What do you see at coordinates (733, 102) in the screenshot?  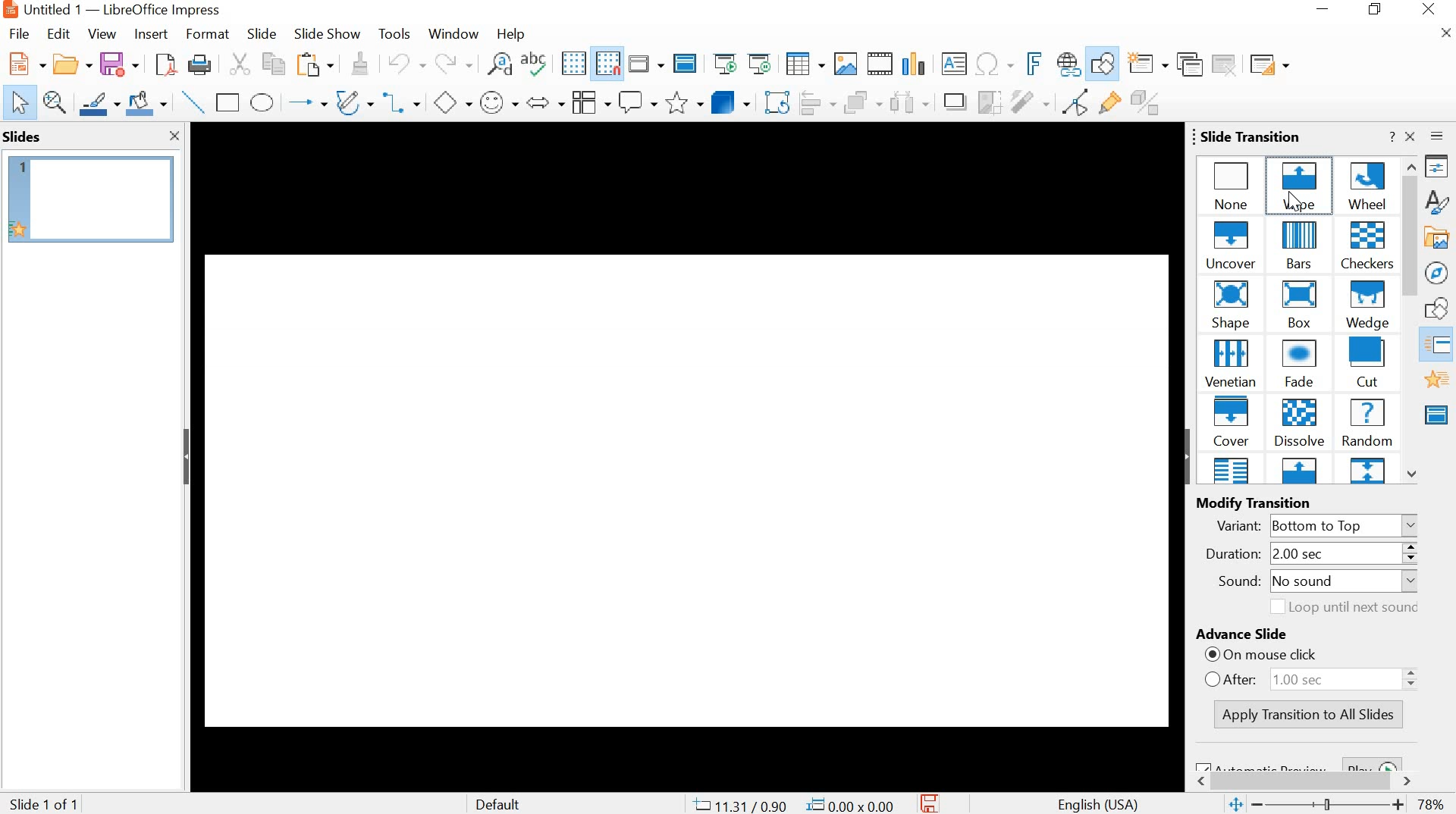 I see `3D Objects` at bounding box center [733, 102].